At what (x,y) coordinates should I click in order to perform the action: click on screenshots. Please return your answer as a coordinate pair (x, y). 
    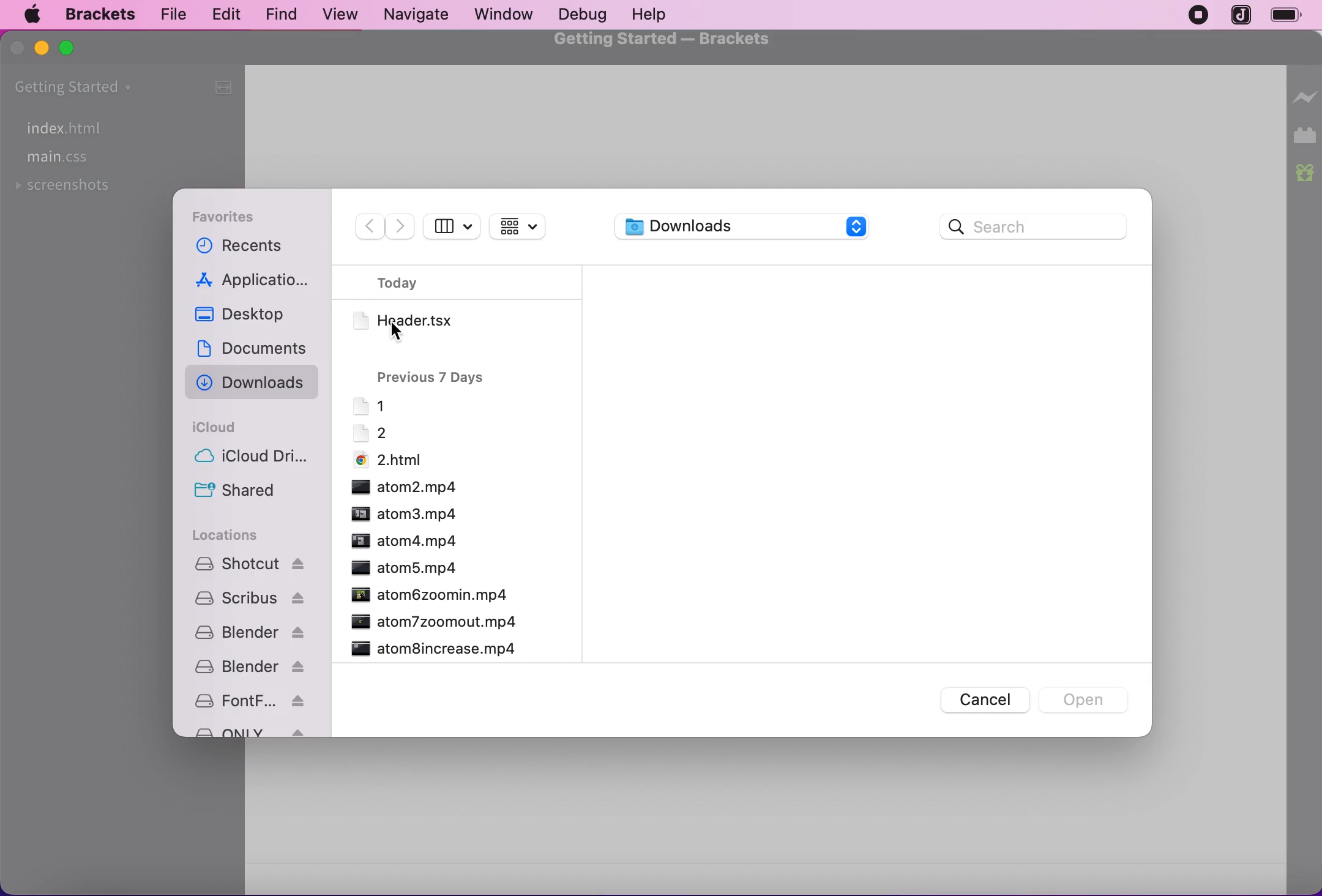
    Looking at the image, I should click on (66, 190).